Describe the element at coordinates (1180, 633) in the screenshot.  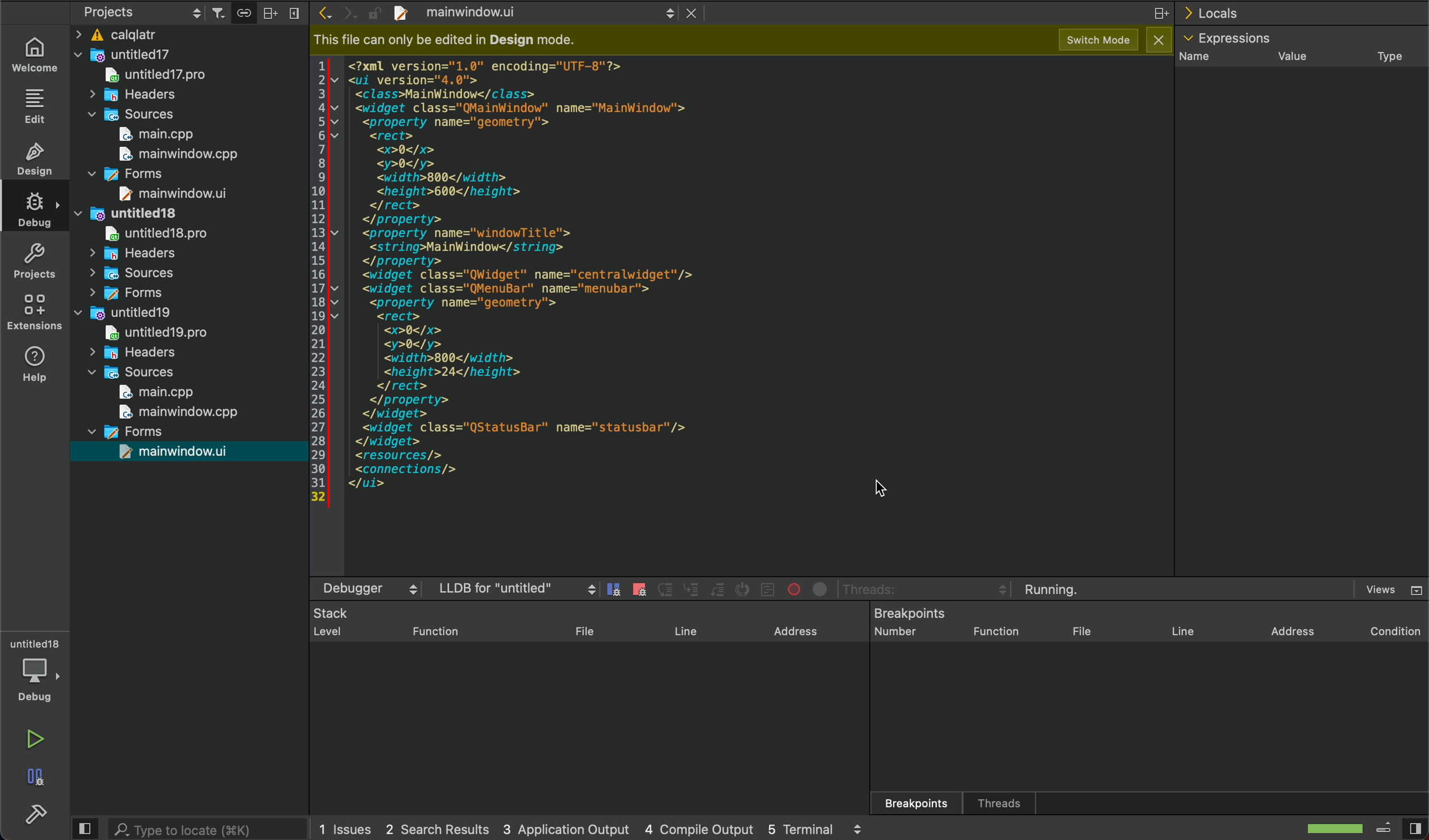
I see `Line` at that location.